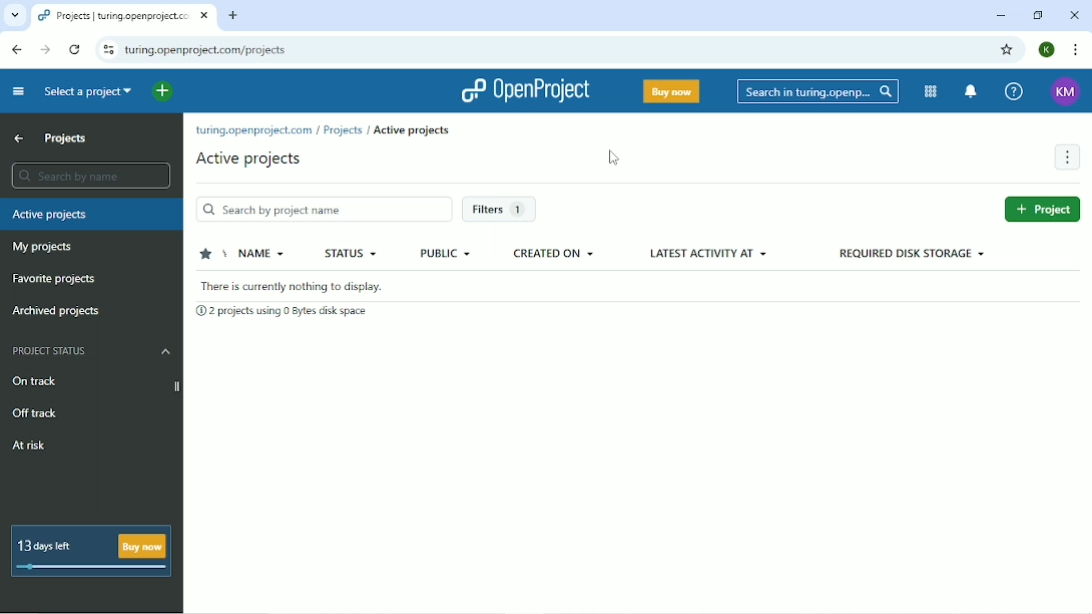 This screenshot has width=1092, height=614. What do you see at coordinates (13, 17) in the screenshot?
I see `other tabs` at bounding box center [13, 17].